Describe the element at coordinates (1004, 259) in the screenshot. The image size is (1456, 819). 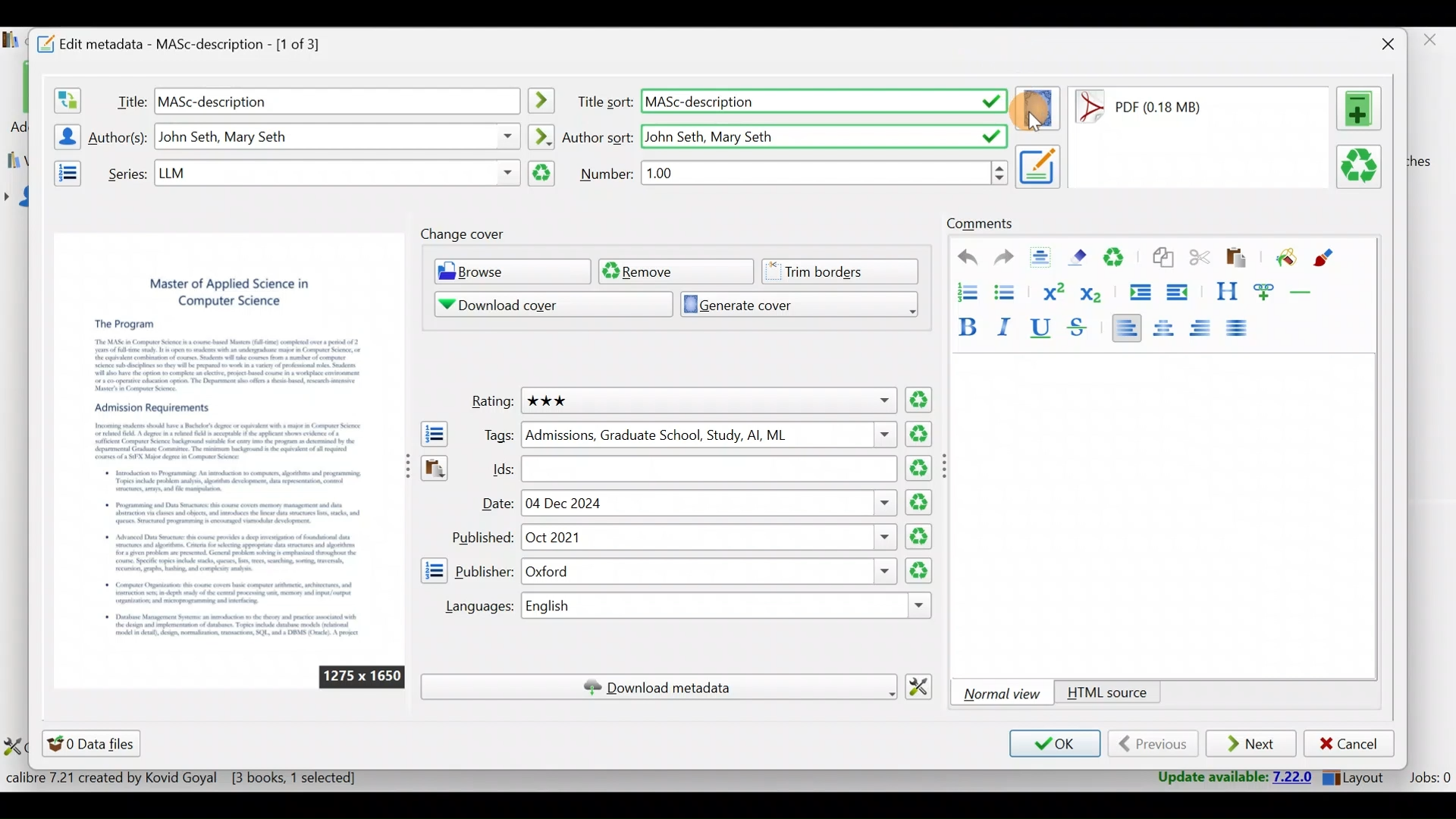
I see `Redo` at that location.